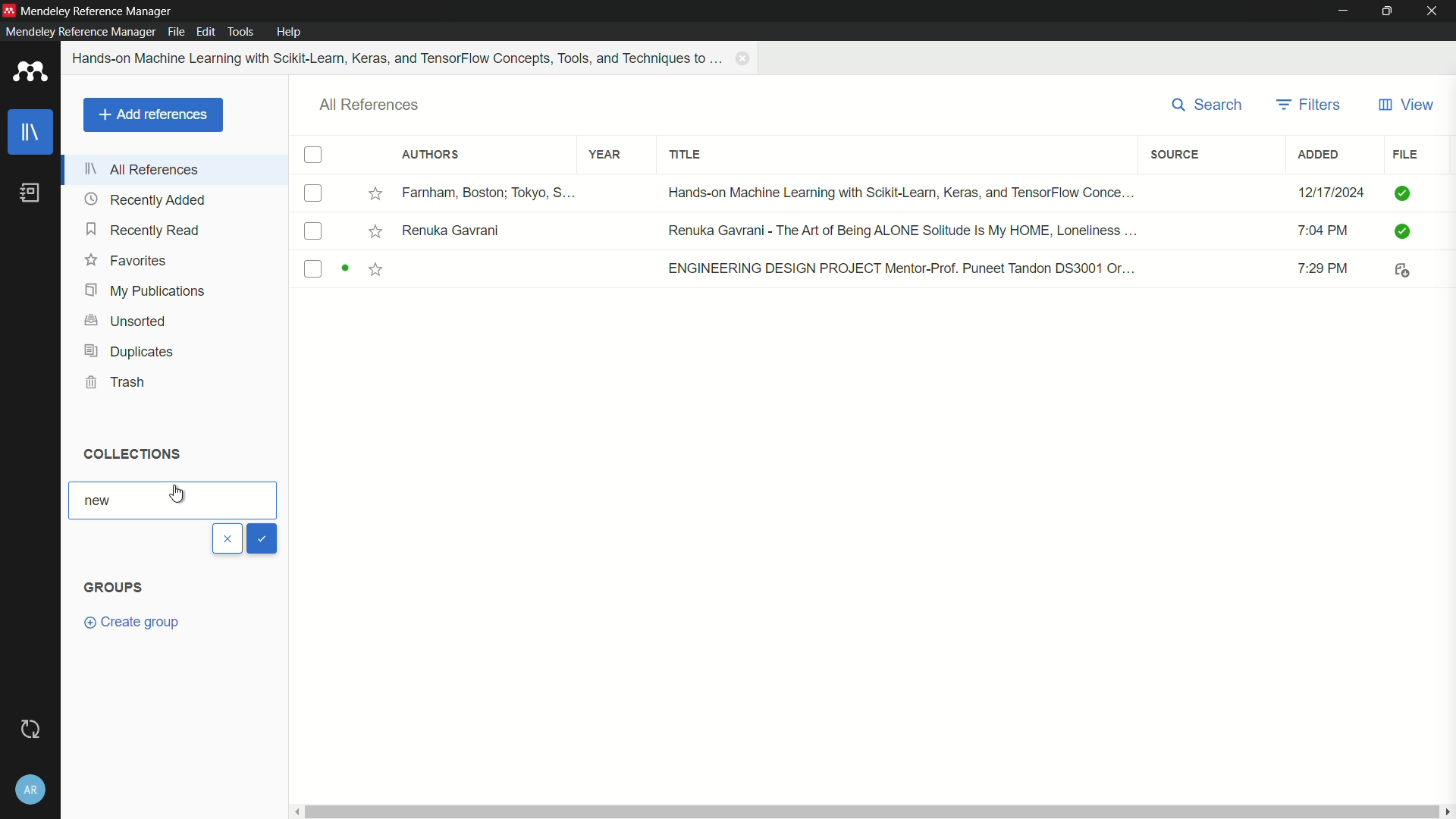 Image resolution: width=1456 pixels, height=819 pixels. I want to click on account and settings, so click(33, 789).